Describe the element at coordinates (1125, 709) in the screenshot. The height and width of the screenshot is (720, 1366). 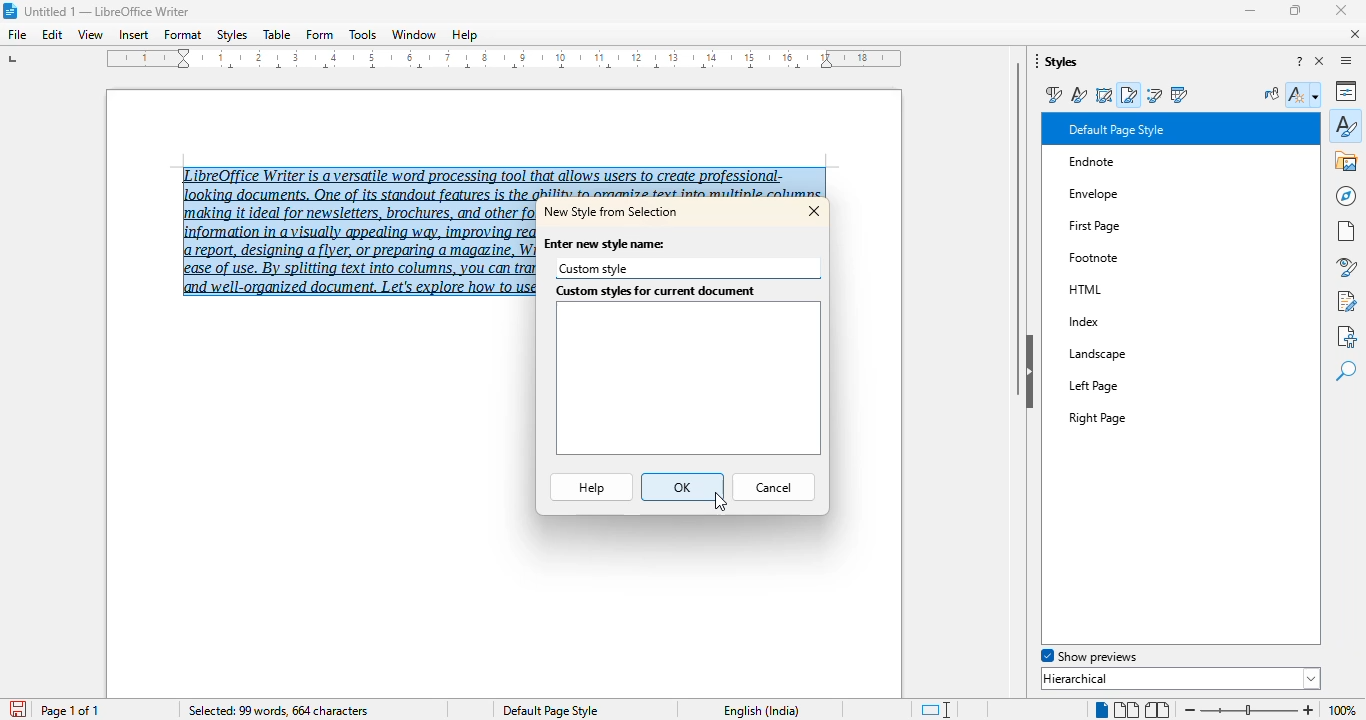
I see `multi-page view` at that location.